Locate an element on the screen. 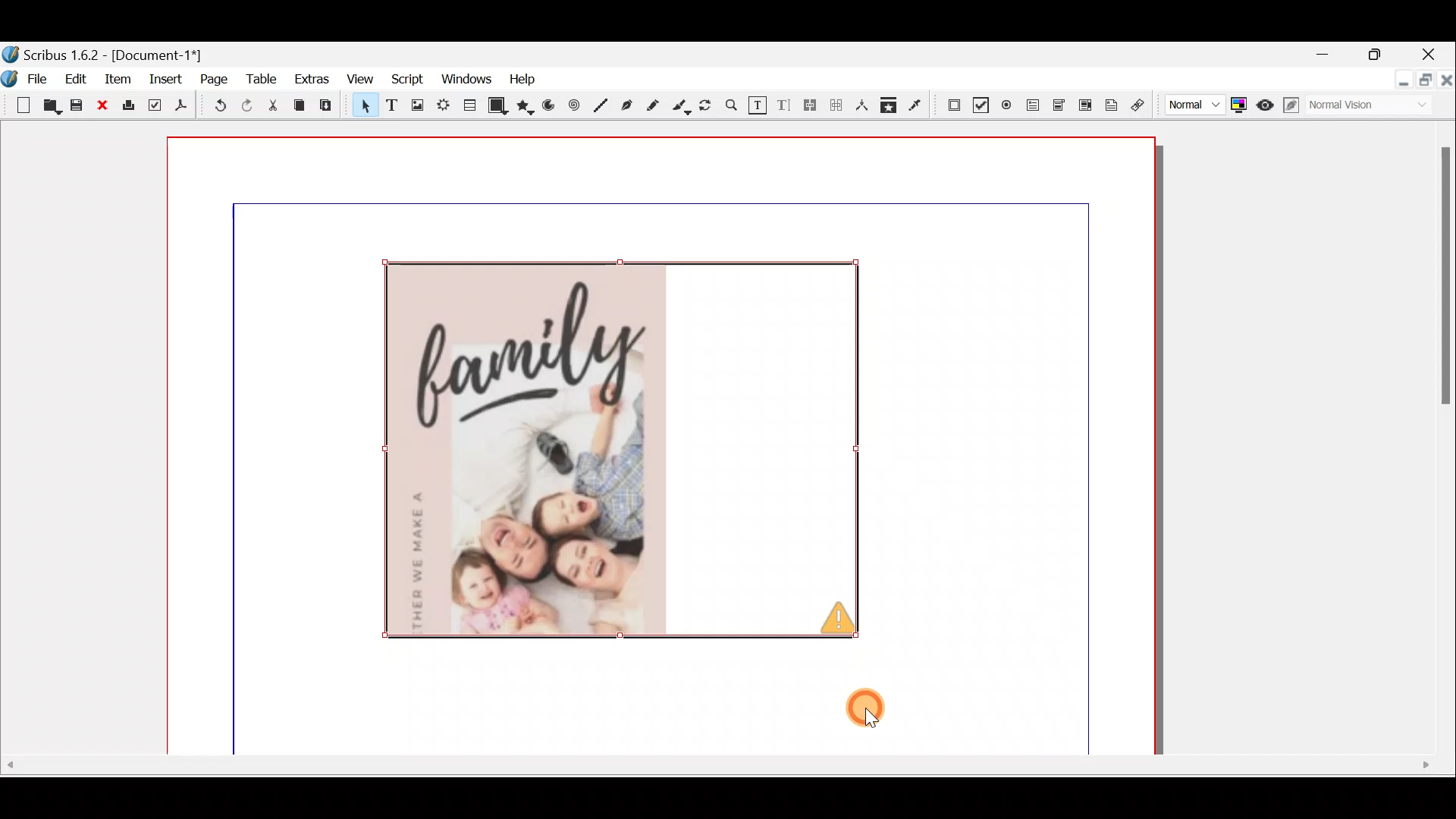 The image size is (1456, 819). Page is located at coordinates (215, 78).